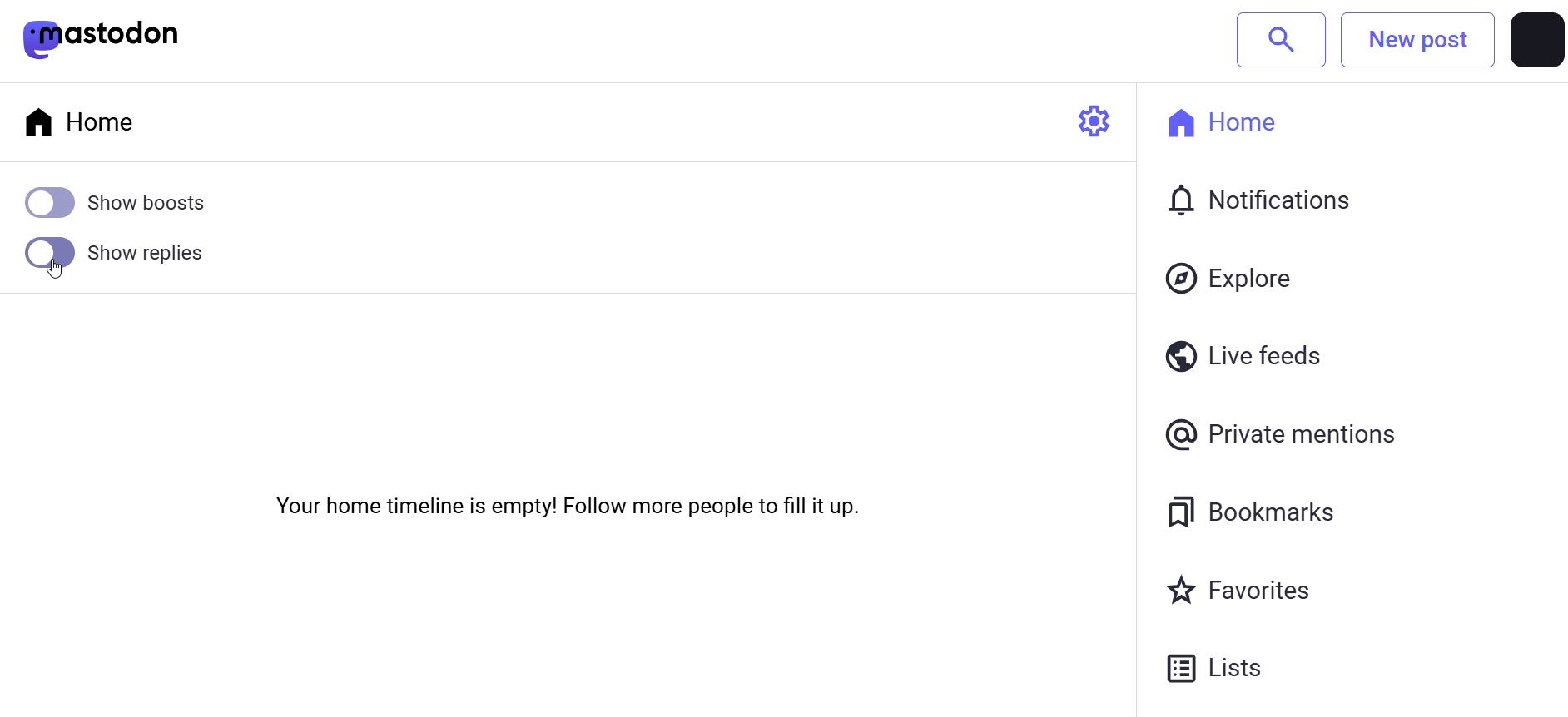 This screenshot has width=1568, height=717. Describe the element at coordinates (67, 286) in the screenshot. I see `cursor` at that location.